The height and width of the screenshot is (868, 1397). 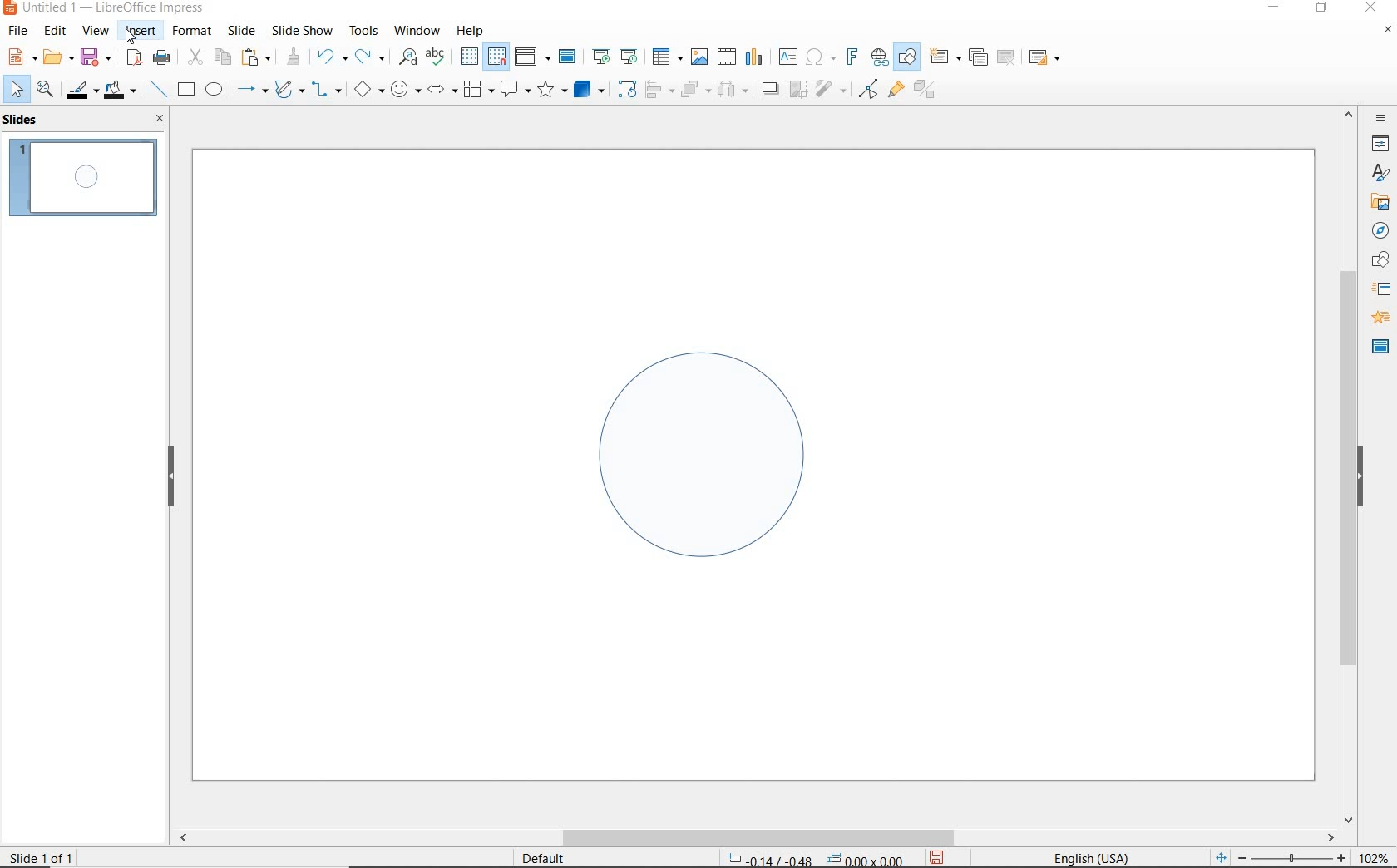 What do you see at coordinates (481, 57) in the screenshot?
I see `display/snap grid` at bounding box center [481, 57].